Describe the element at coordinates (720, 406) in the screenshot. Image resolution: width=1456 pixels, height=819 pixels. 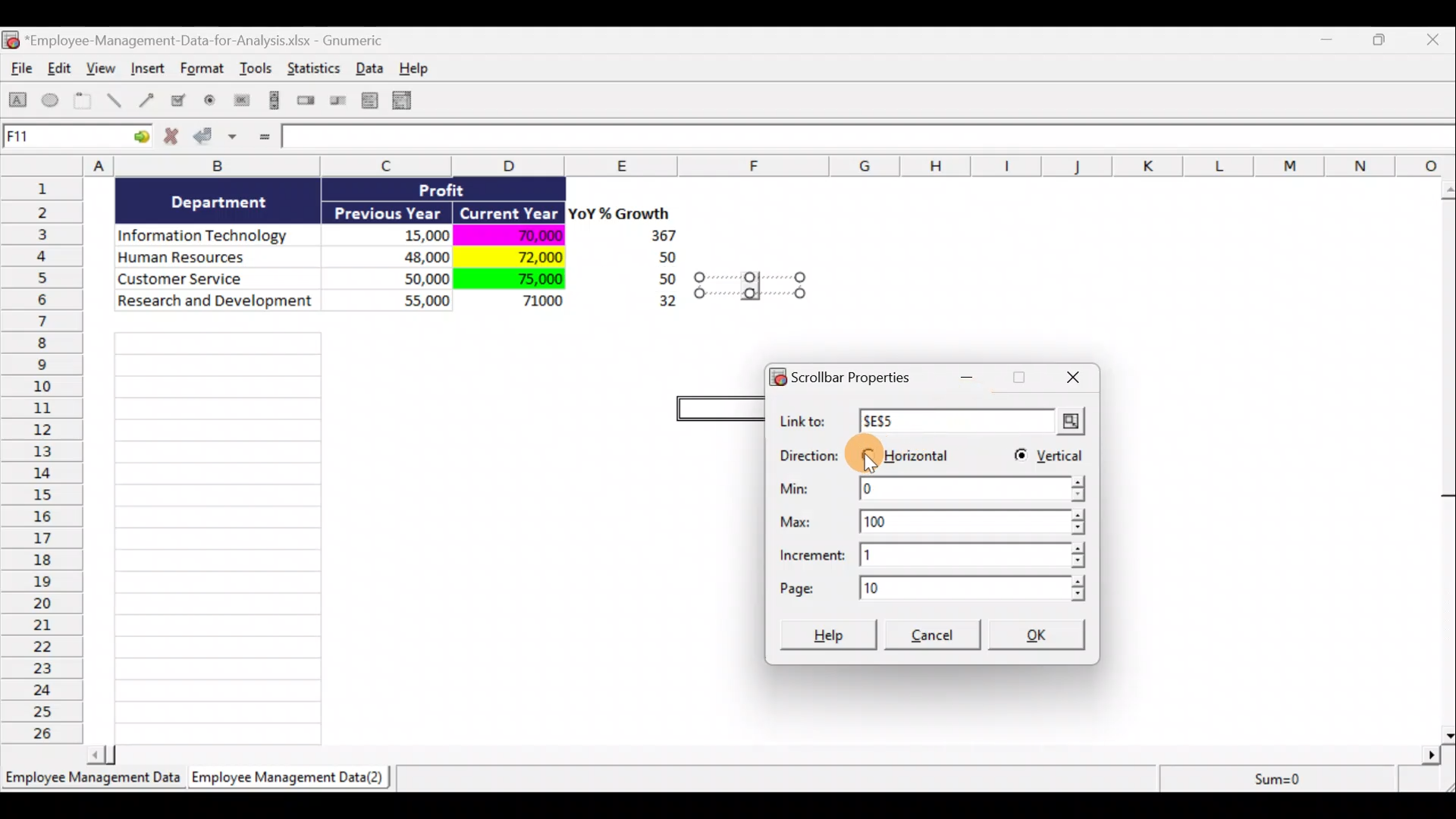
I see `selected cell` at that location.